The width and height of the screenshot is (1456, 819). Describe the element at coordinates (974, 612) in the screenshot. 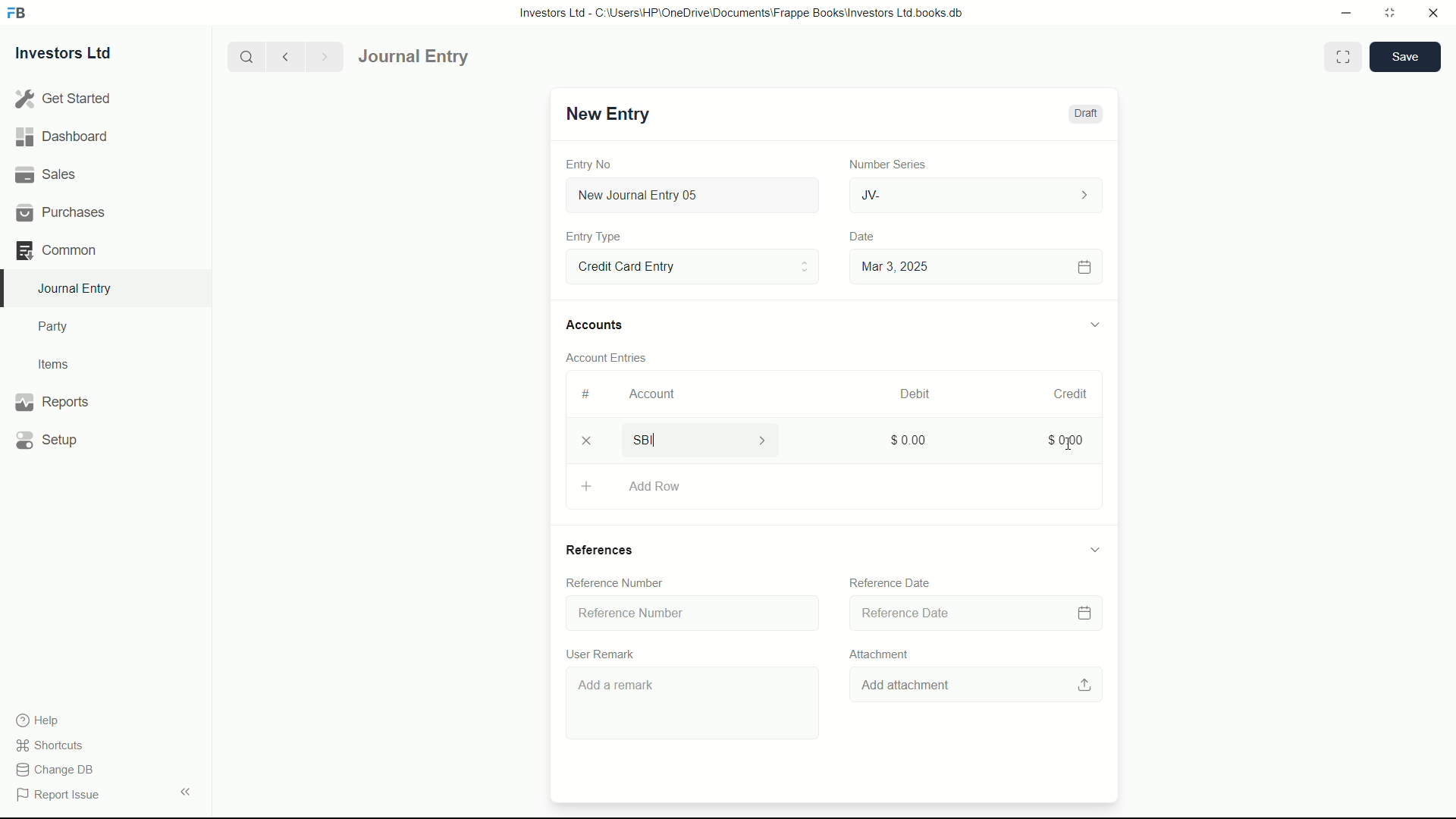

I see `Reference Date` at that location.